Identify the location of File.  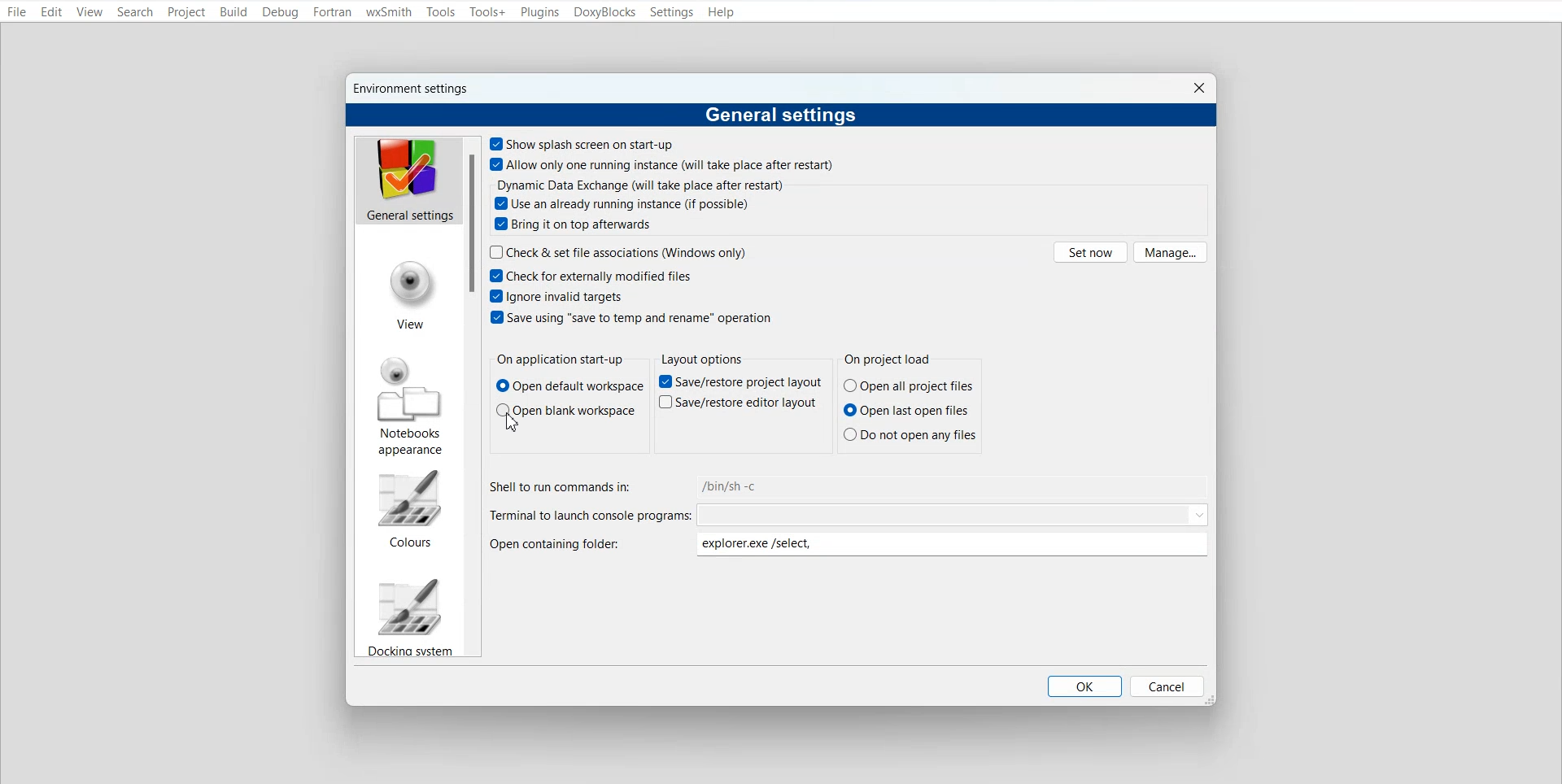
(17, 13).